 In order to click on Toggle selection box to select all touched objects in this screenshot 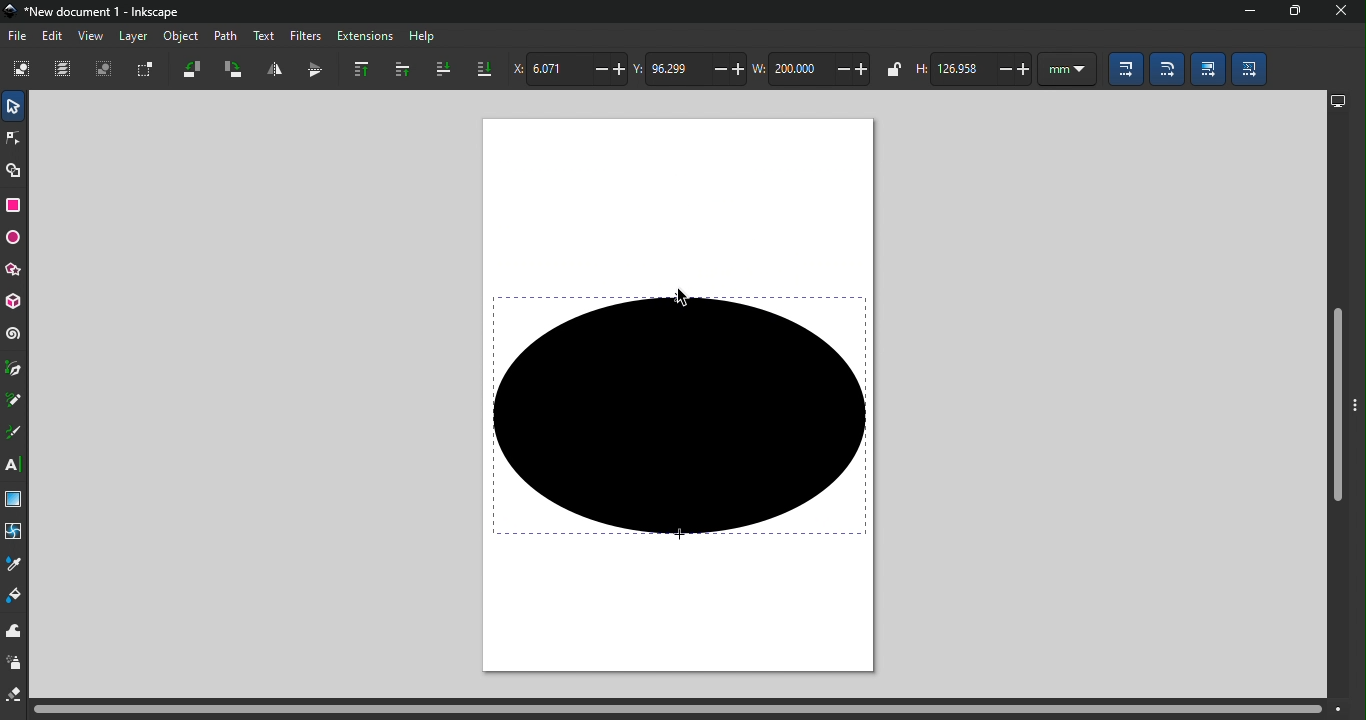, I will do `click(143, 70)`.